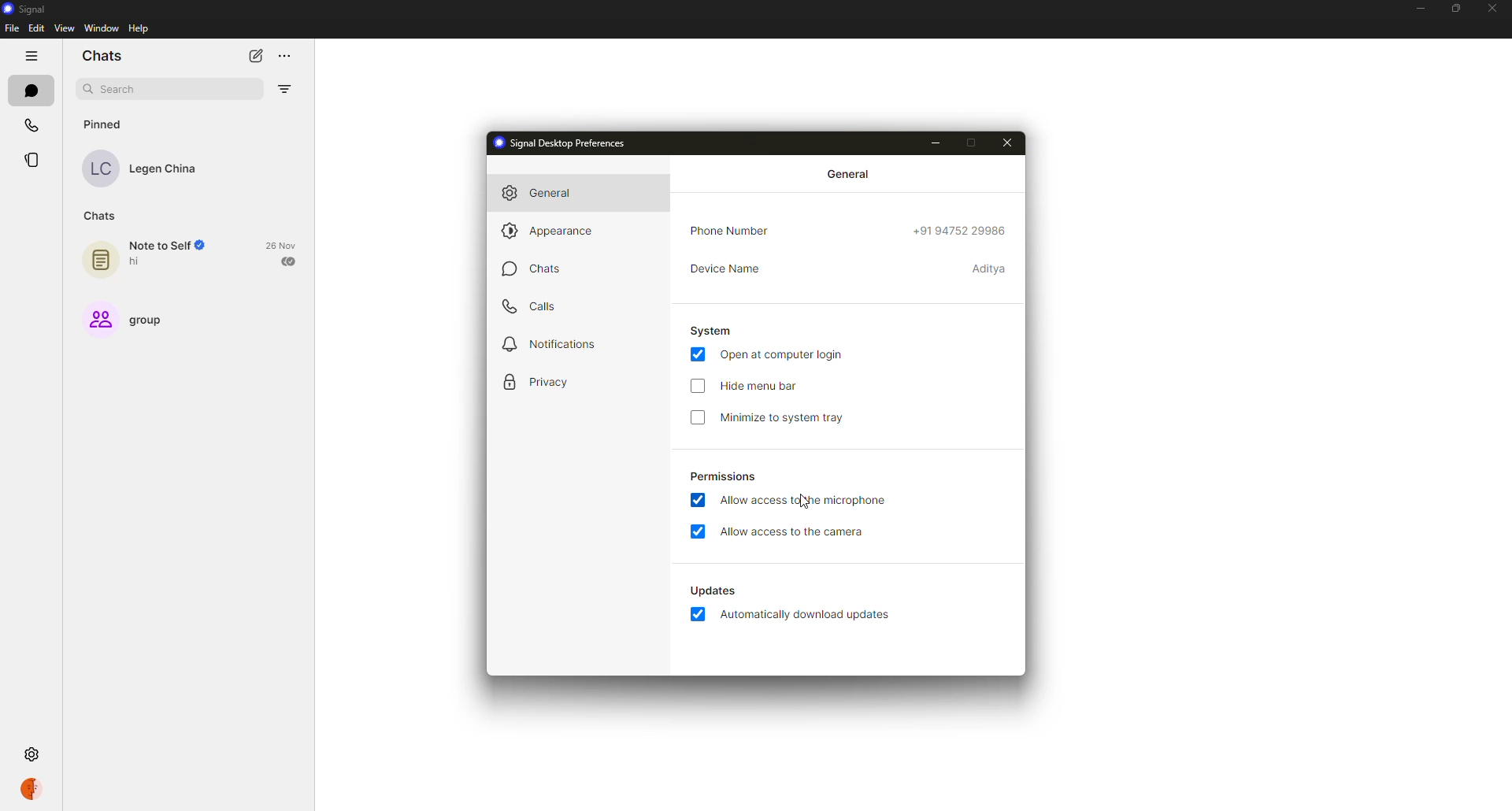 This screenshot has width=1512, height=811. What do you see at coordinates (804, 501) in the screenshot?
I see `allow access to microphone` at bounding box center [804, 501].